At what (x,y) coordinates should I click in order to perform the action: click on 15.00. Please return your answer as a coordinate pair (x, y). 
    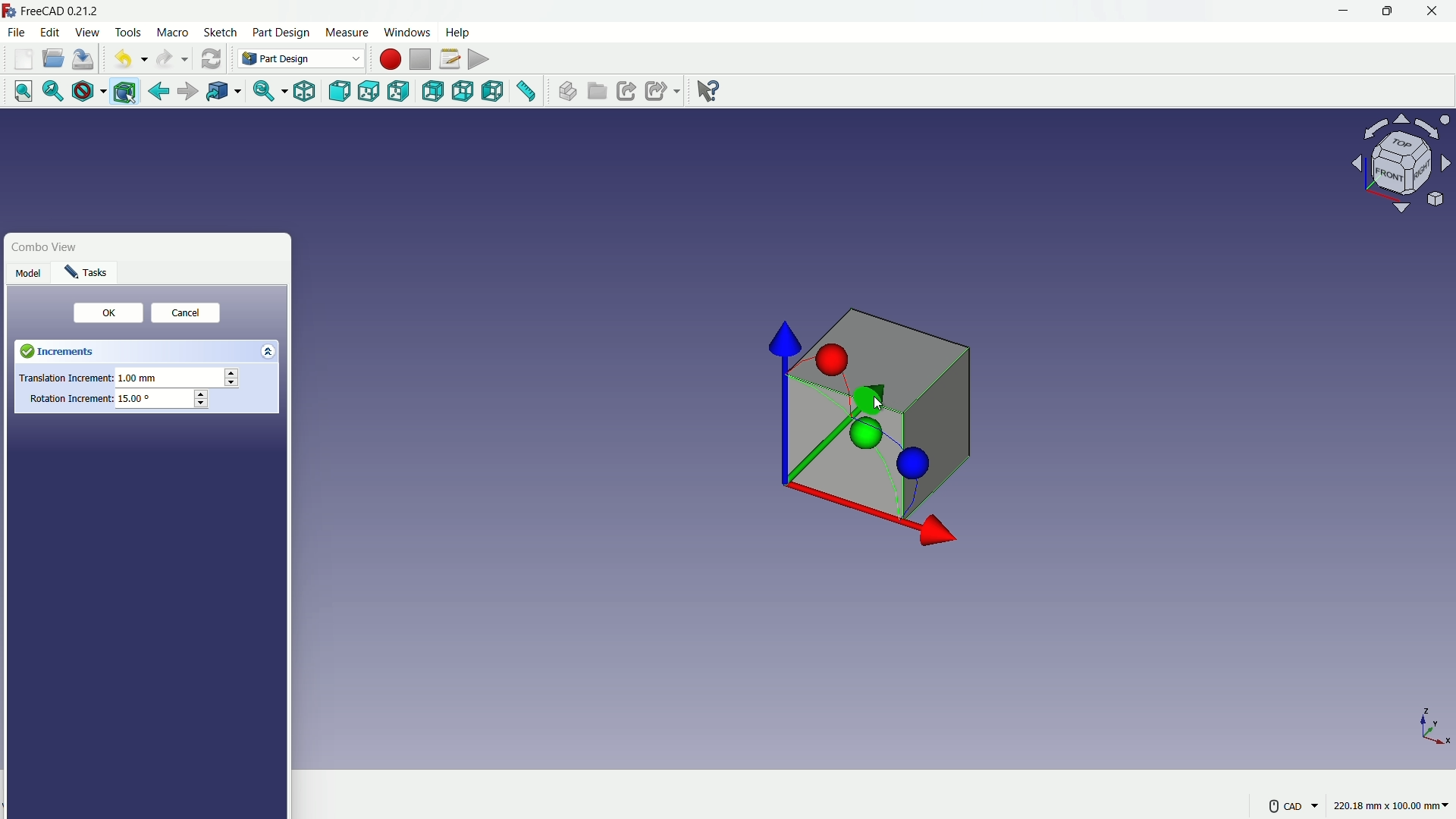
    Looking at the image, I should click on (135, 398).